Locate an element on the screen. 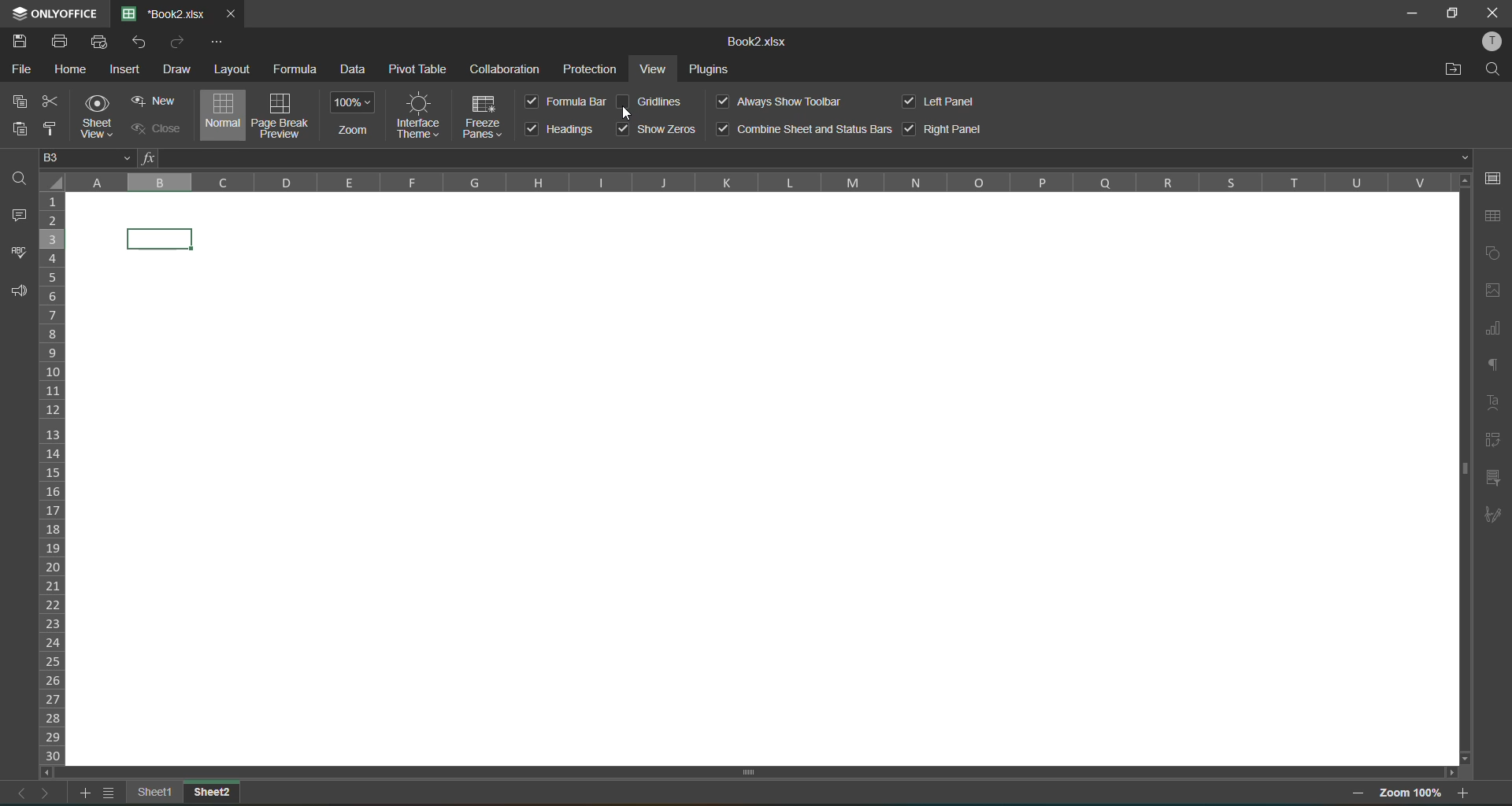 Image resolution: width=1512 pixels, height=806 pixels. data is located at coordinates (358, 71).